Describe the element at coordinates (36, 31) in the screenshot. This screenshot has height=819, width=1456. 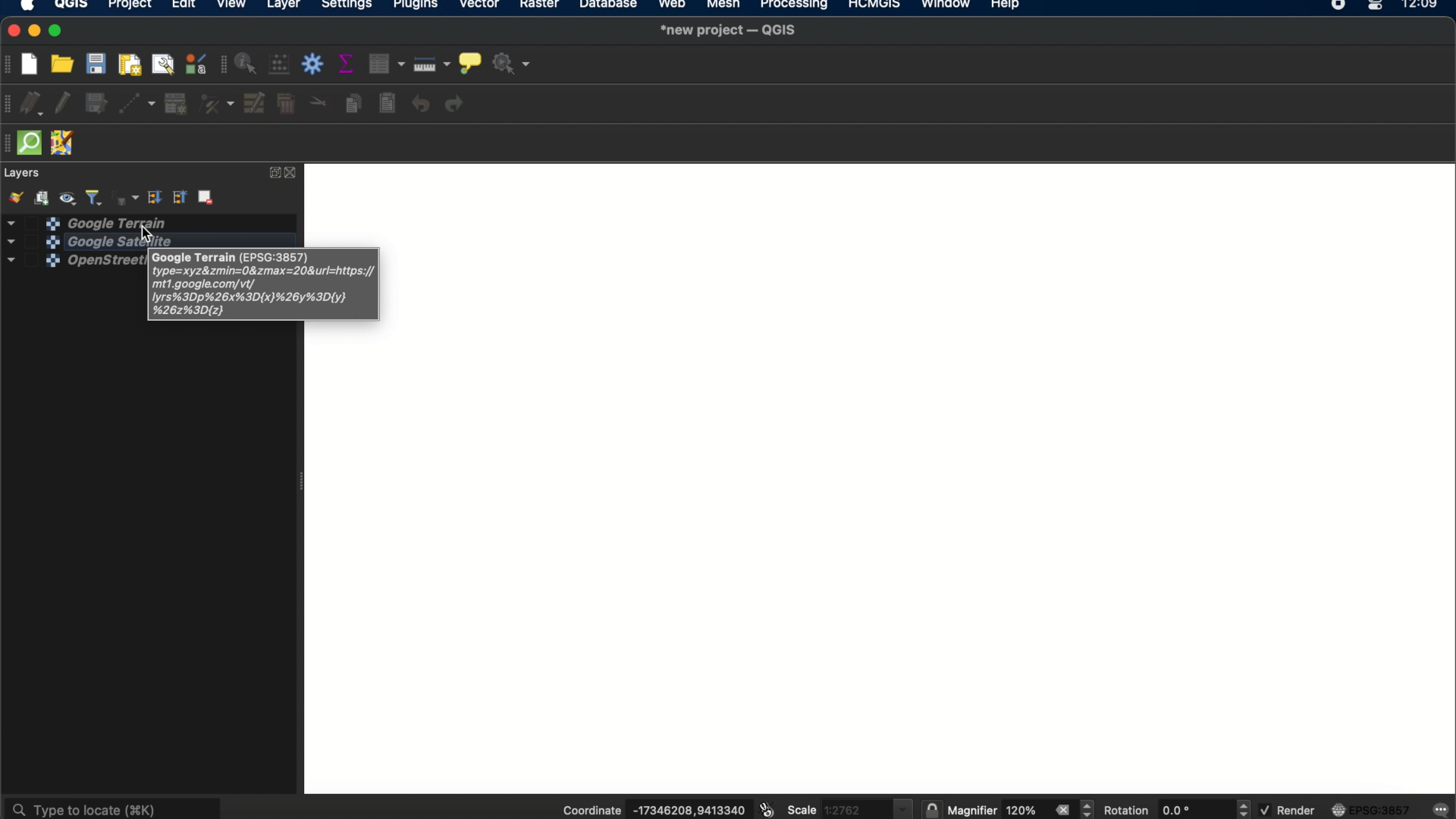
I see `minimize` at that location.